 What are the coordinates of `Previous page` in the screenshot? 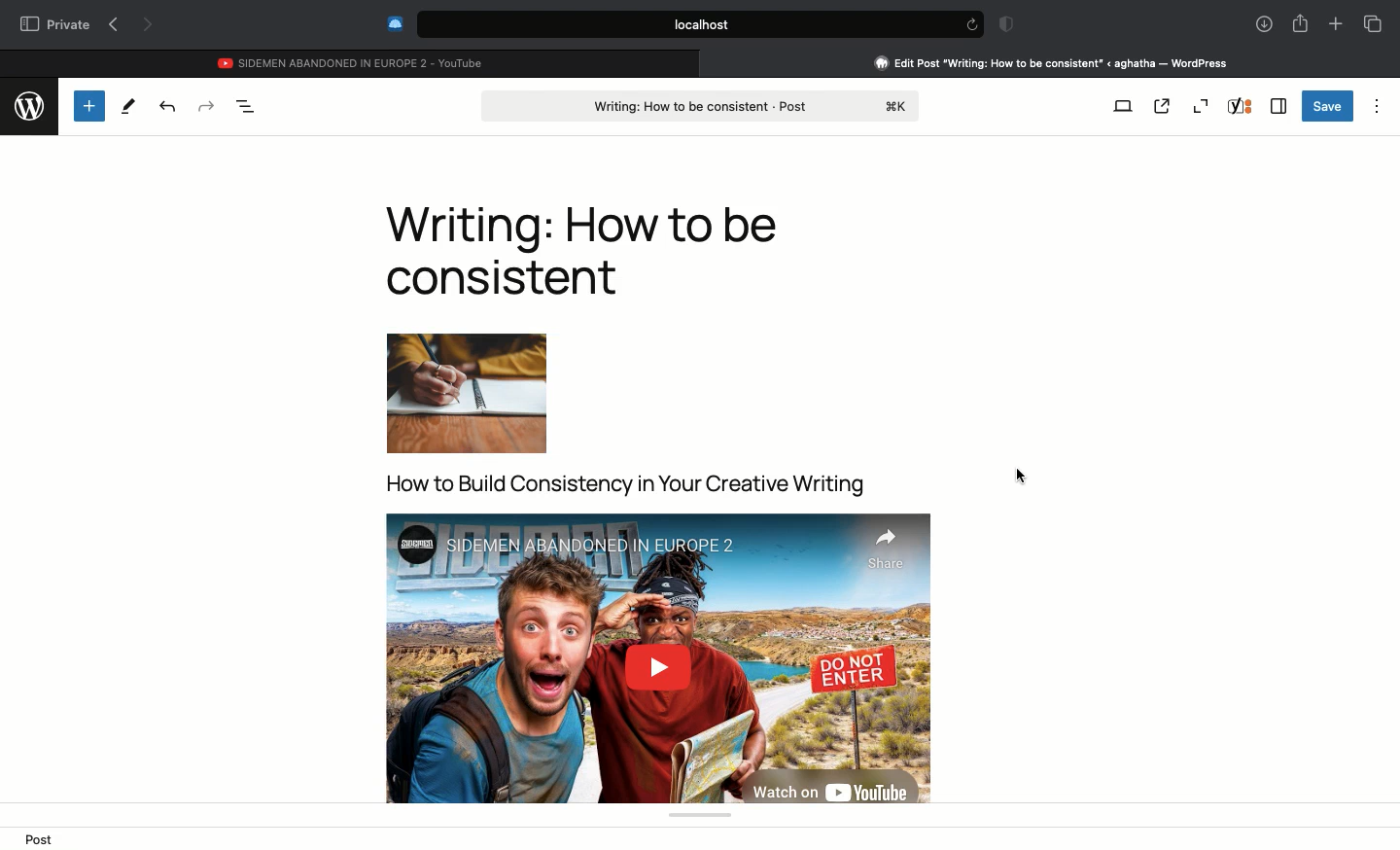 It's located at (113, 25).